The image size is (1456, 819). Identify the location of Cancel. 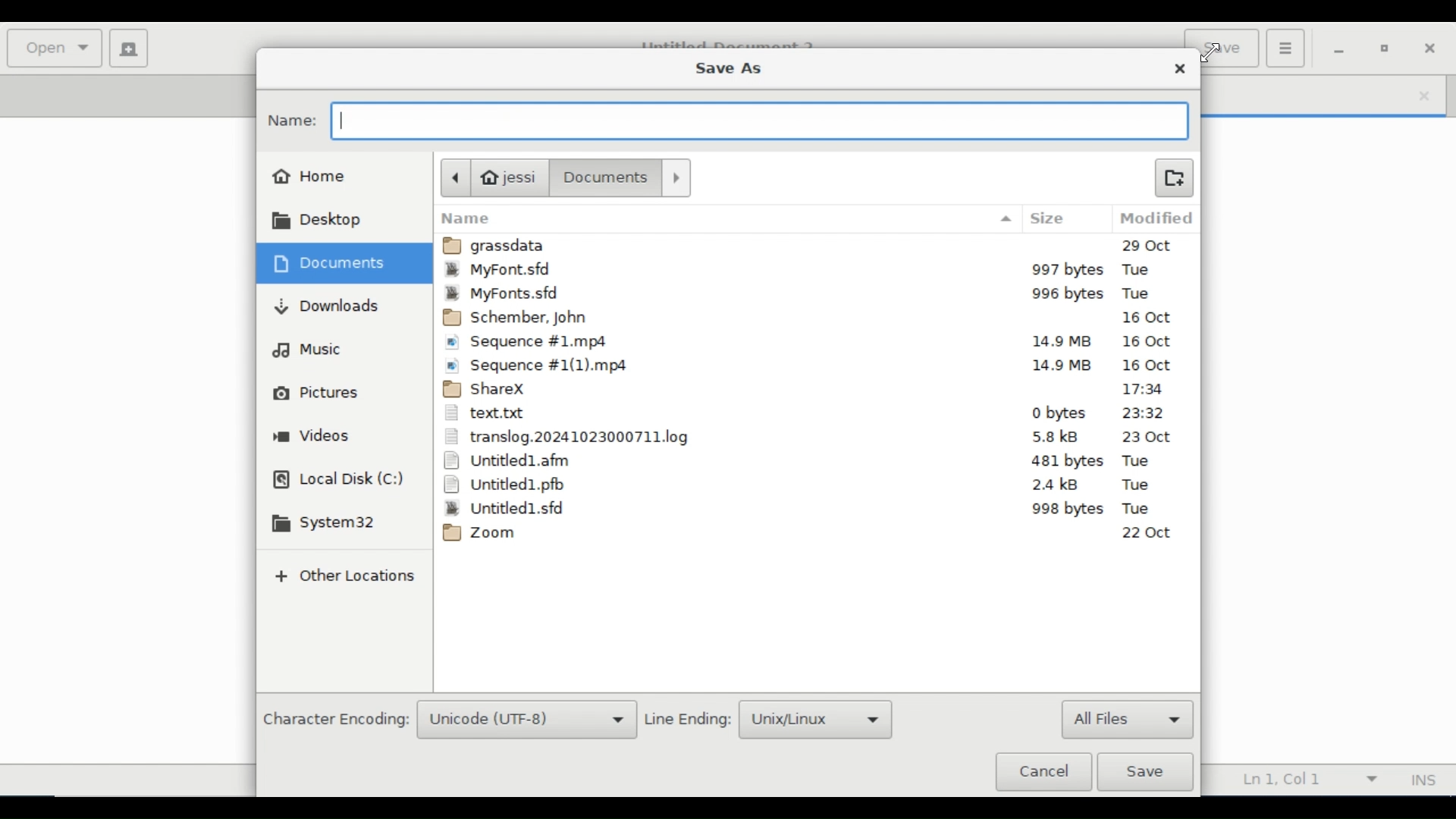
(1043, 772).